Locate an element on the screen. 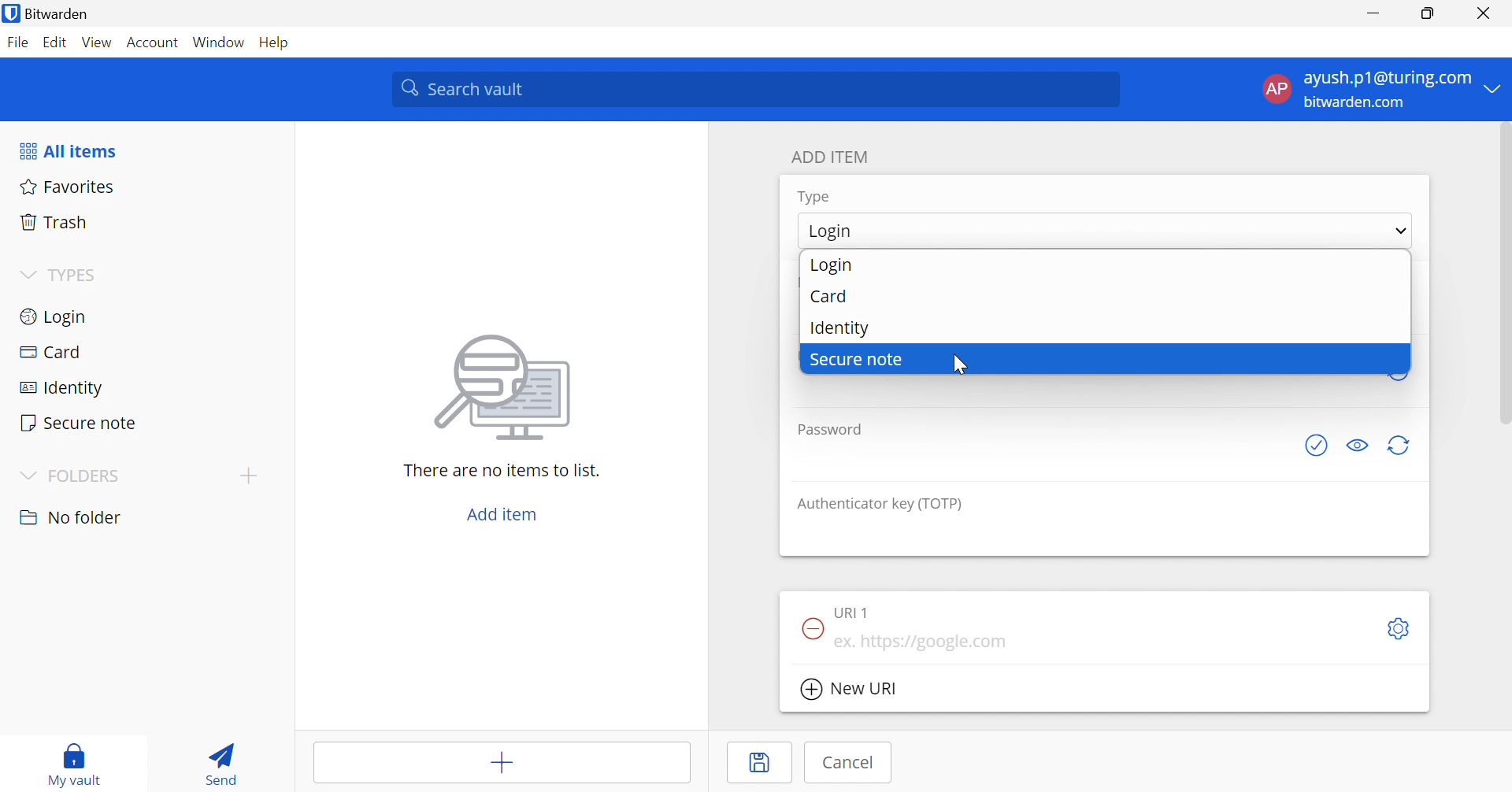  Identity is located at coordinates (1105, 324).